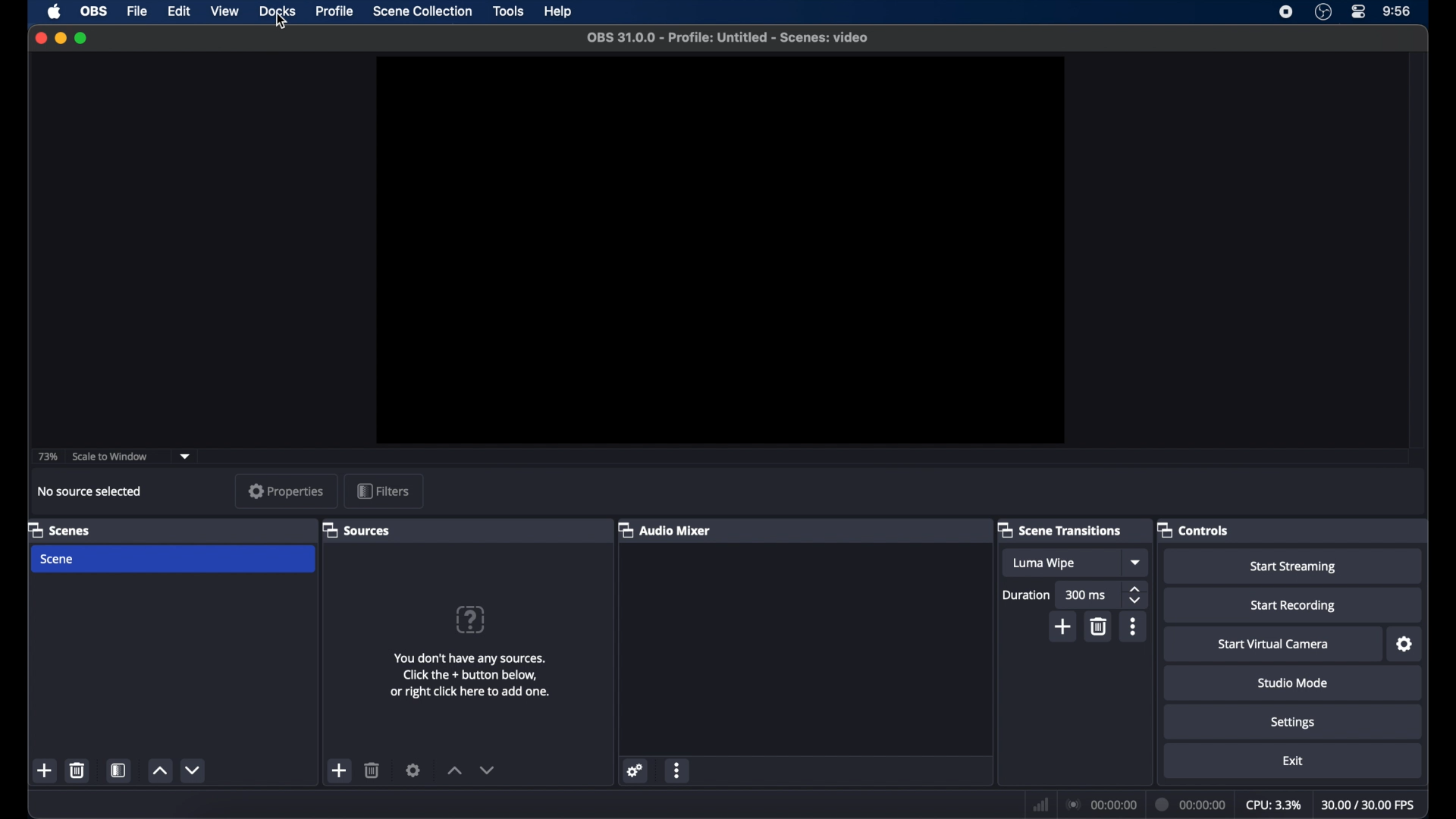 This screenshot has height=819, width=1456. Describe the element at coordinates (223, 11) in the screenshot. I see `view` at that location.